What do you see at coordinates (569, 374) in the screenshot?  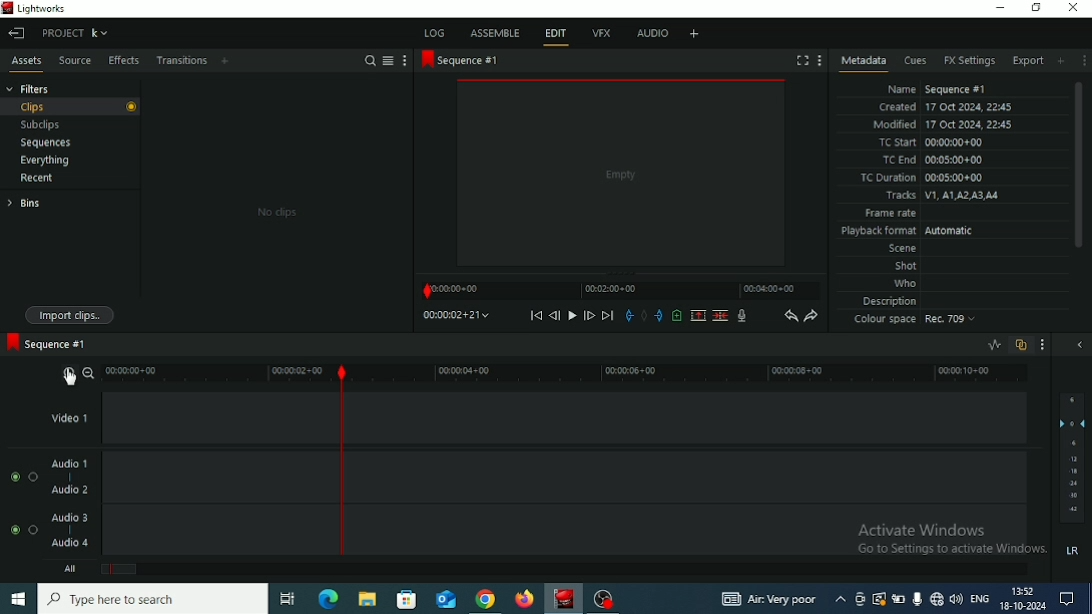 I see `Zoomed in timeline` at bounding box center [569, 374].